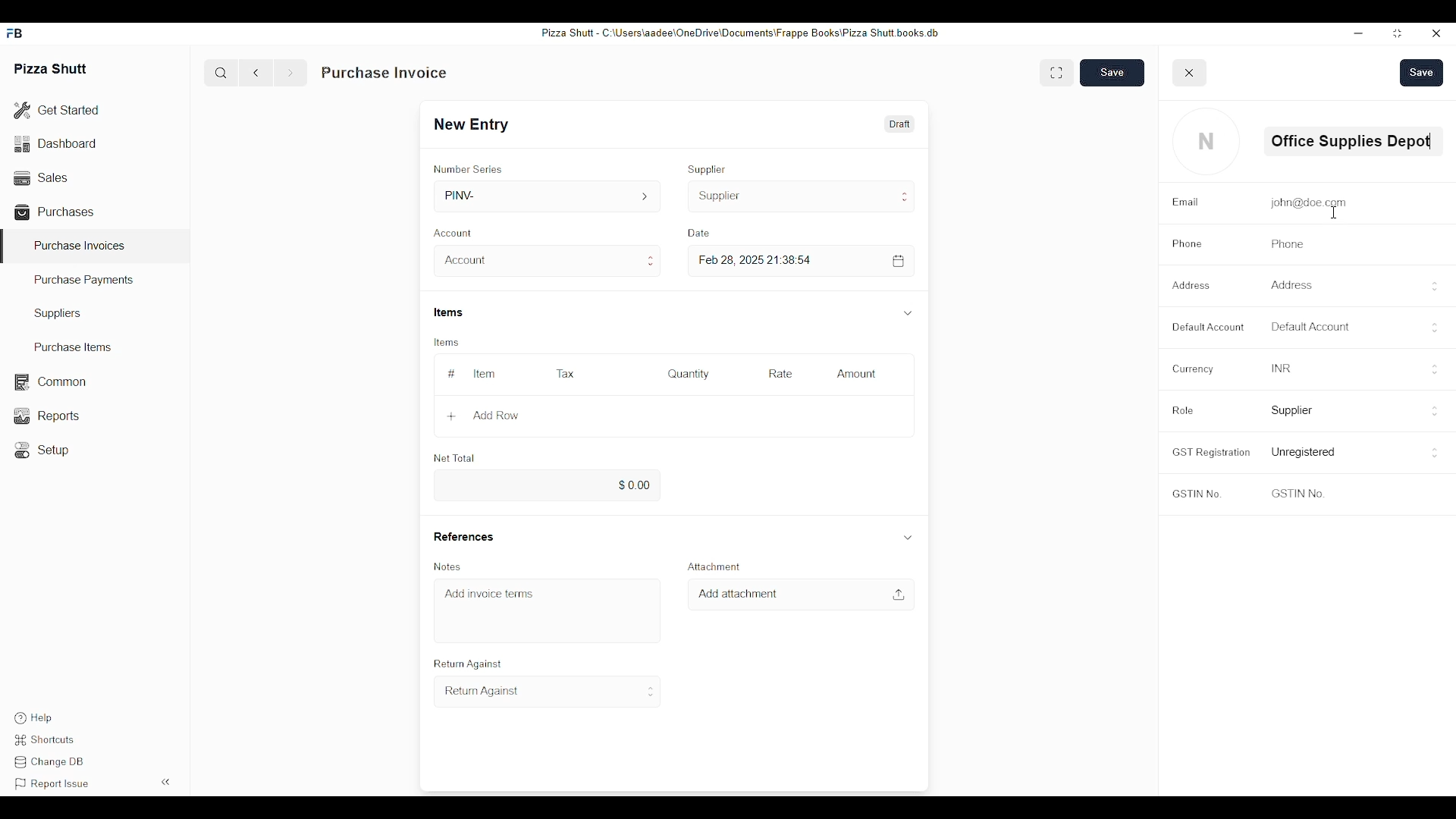  What do you see at coordinates (1207, 141) in the screenshot?
I see `Profile photo` at bounding box center [1207, 141].